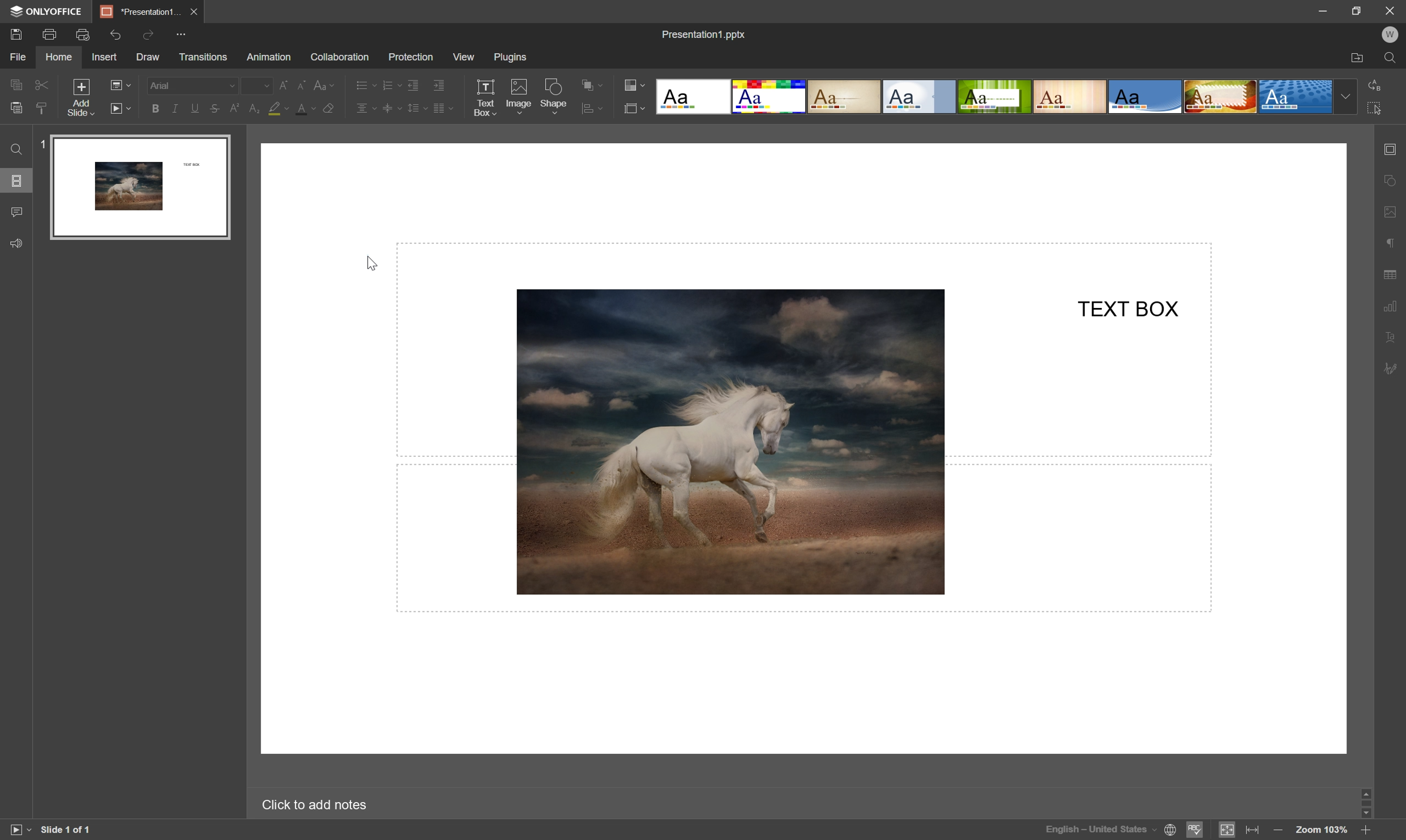  I want to click on replace, so click(1377, 84).